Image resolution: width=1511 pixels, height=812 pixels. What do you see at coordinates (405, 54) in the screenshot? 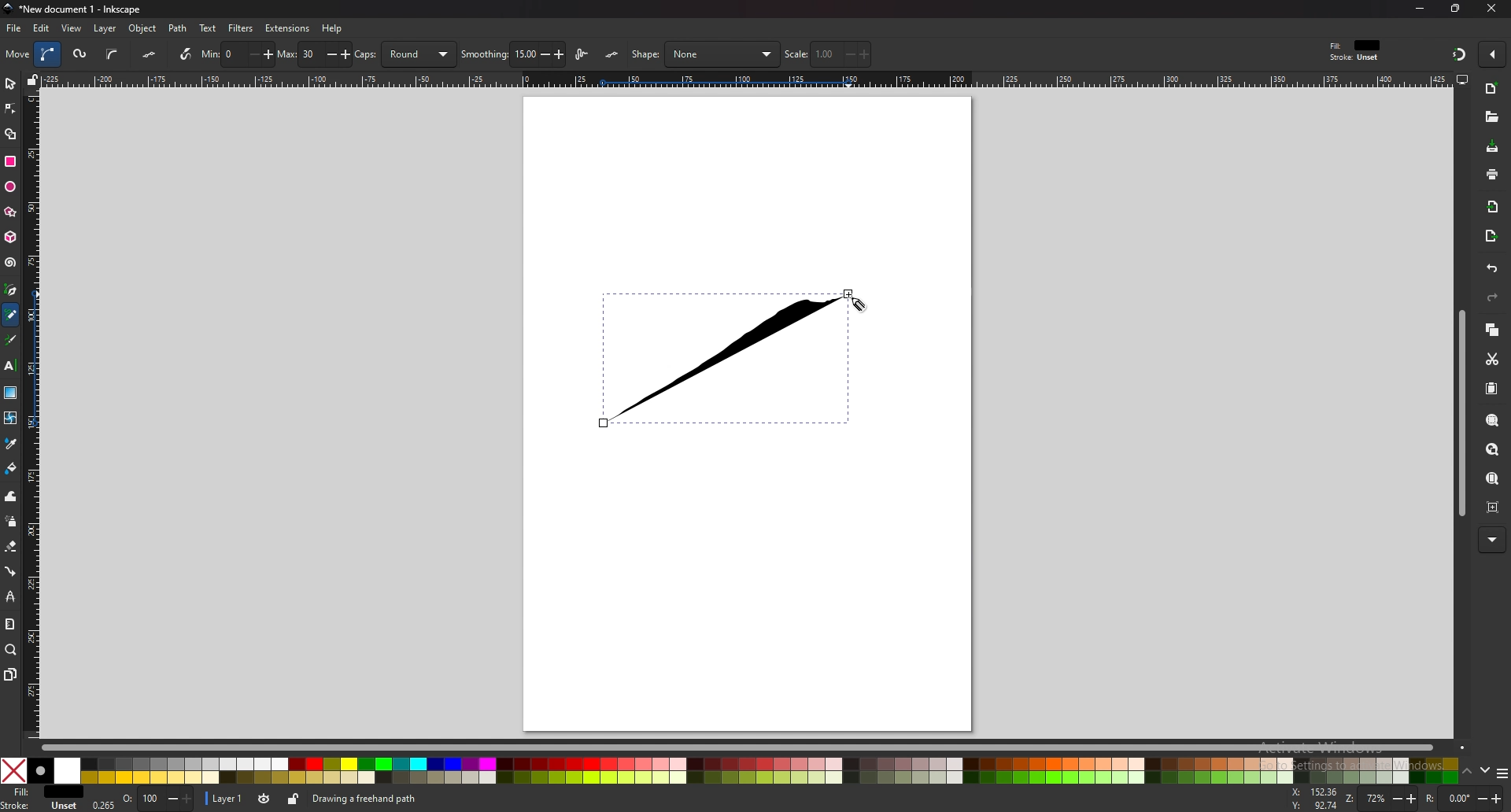
I see `caps` at bounding box center [405, 54].